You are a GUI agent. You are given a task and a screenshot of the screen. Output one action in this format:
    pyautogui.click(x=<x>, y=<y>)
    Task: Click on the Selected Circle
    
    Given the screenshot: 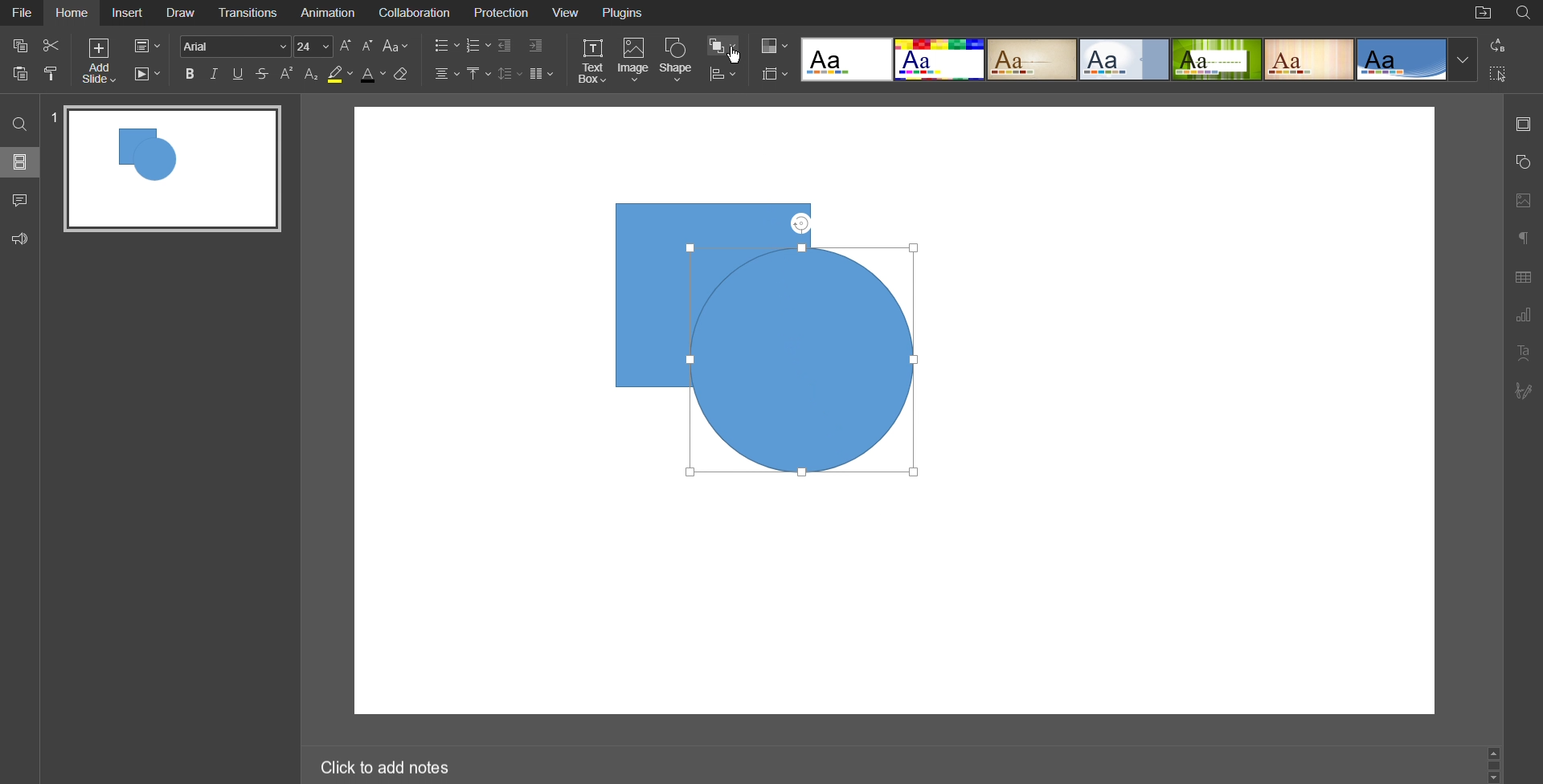 What is the action you would take?
    pyautogui.click(x=804, y=361)
    